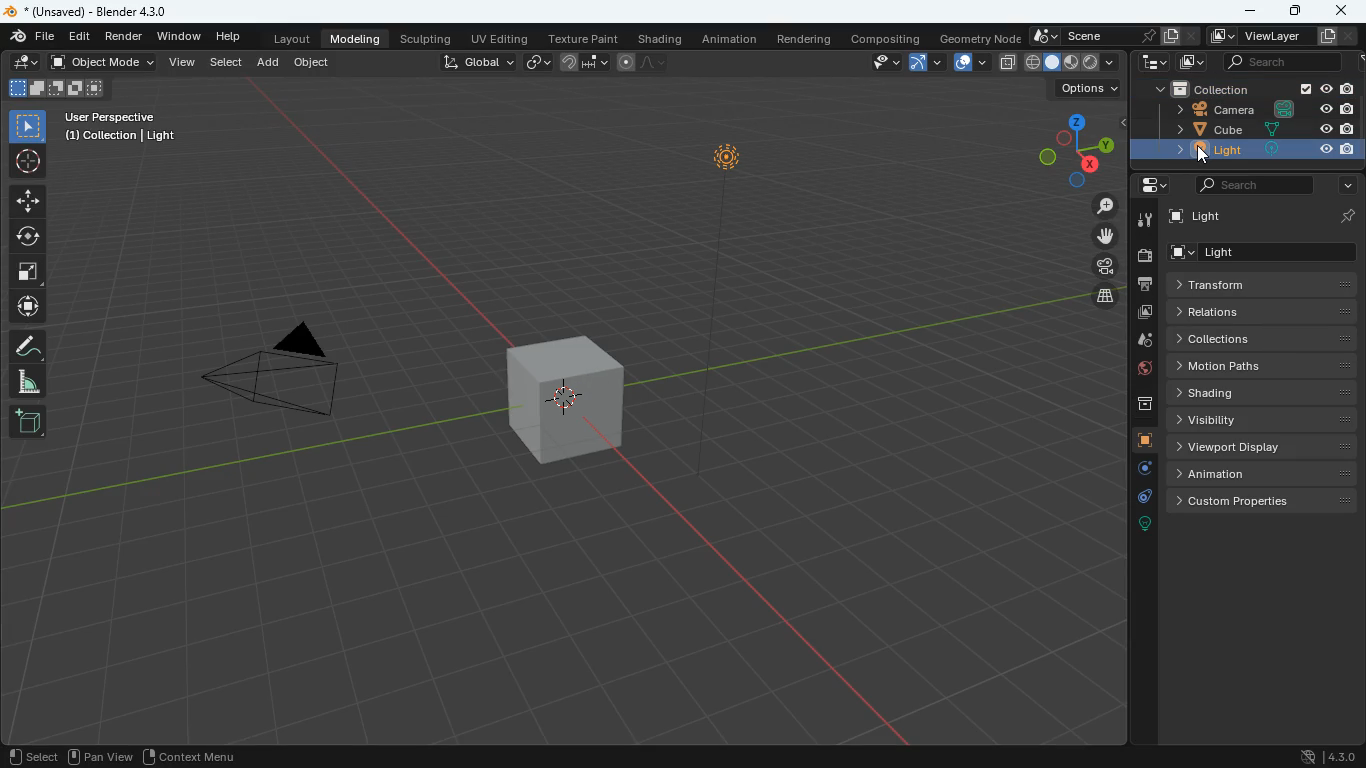 This screenshot has width=1366, height=768. What do you see at coordinates (1143, 524) in the screenshot?
I see `` at bounding box center [1143, 524].